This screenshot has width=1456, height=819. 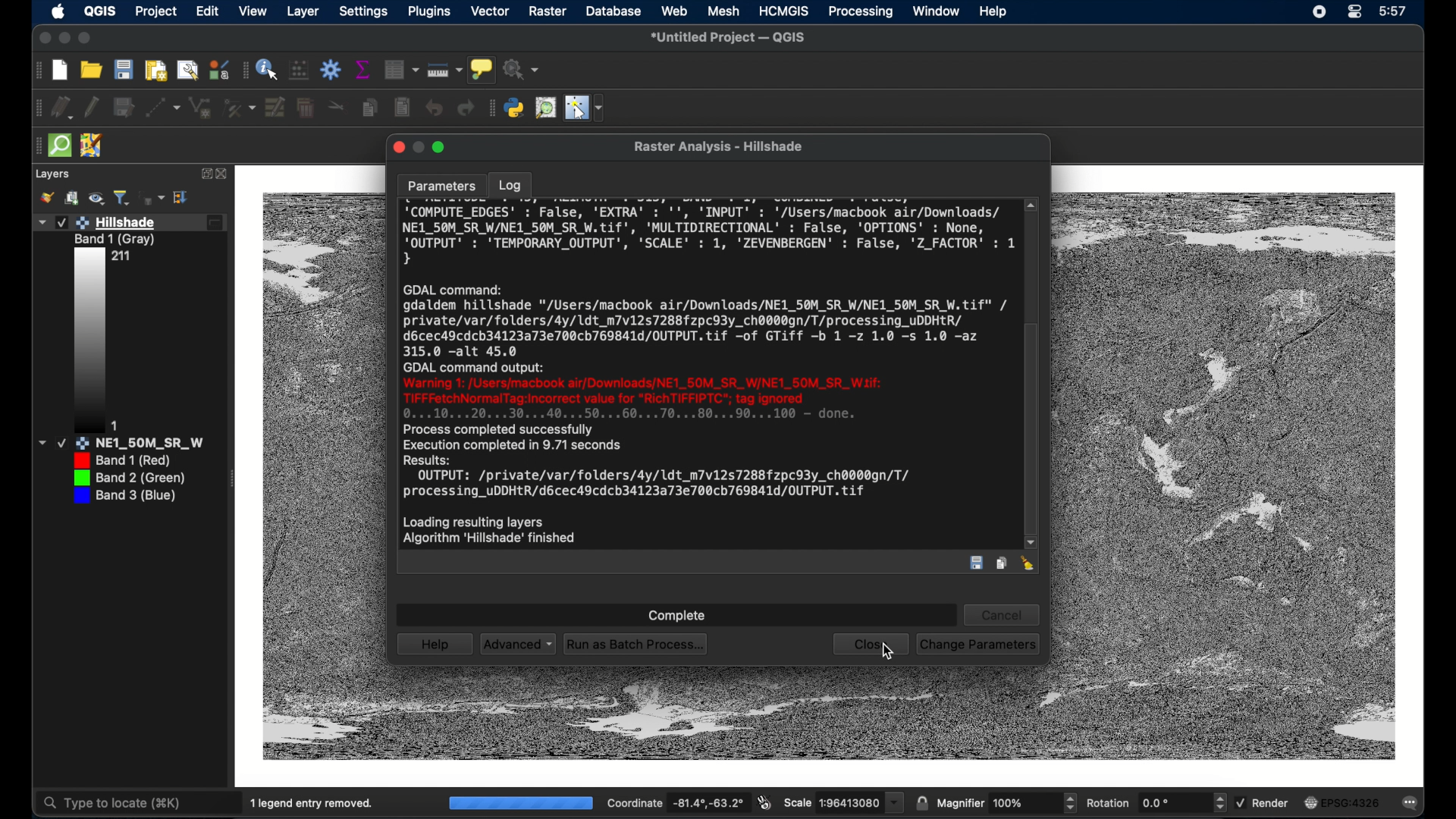 What do you see at coordinates (717, 148) in the screenshot?
I see `Raster Analysis - Hillshade` at bounding box center [717, 148].